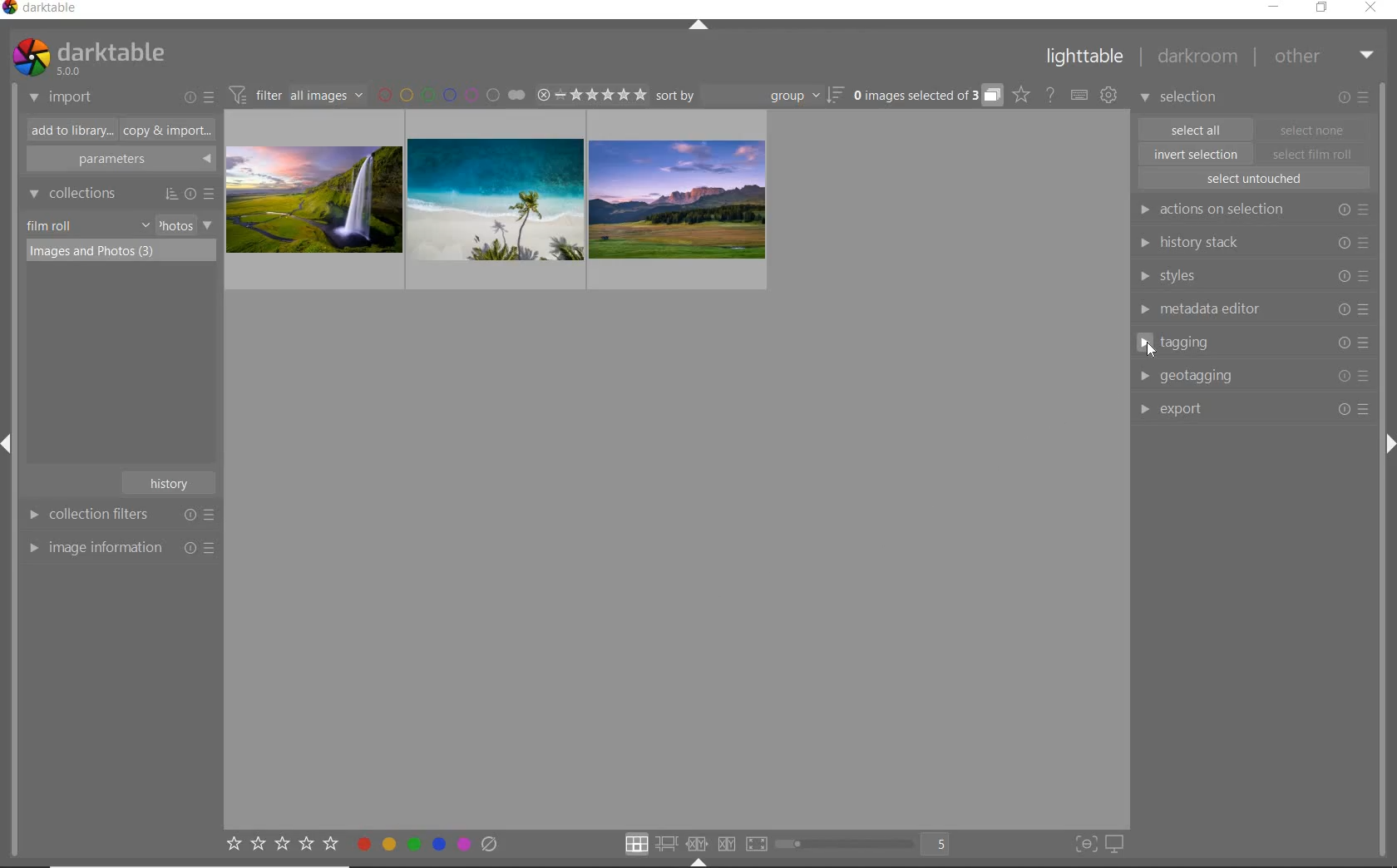 The height and width of the screenshot is (868, 1397). What do you see at coordinates (62, 98) in the screenshot?
I see `import` at bounding box center [62, 98].